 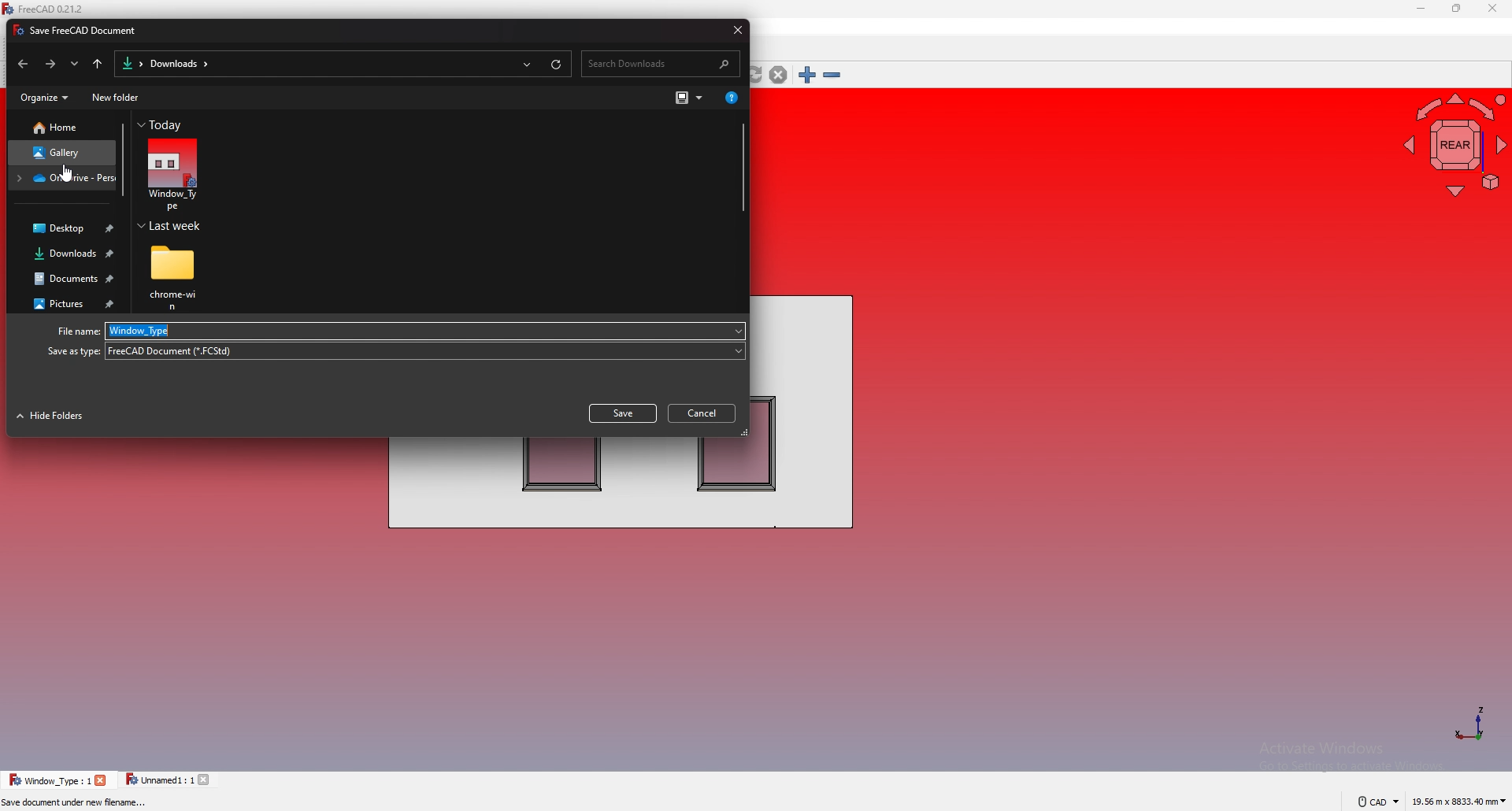 What do you see at coordinates (61, 128) in the screenshot?
I see `home` at bounding box center [61, 128].